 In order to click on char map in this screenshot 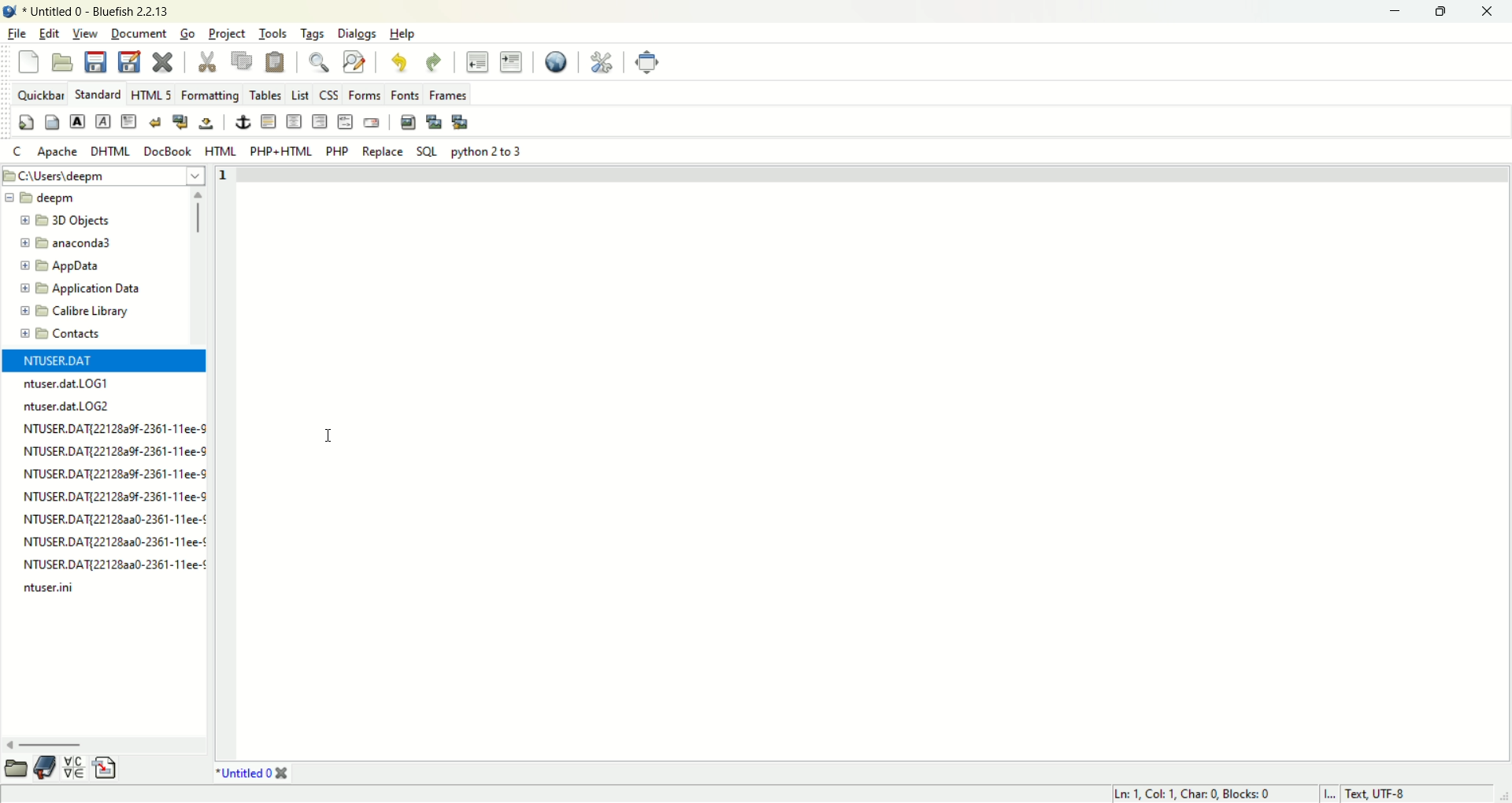, I will do `click(76, 768)`.